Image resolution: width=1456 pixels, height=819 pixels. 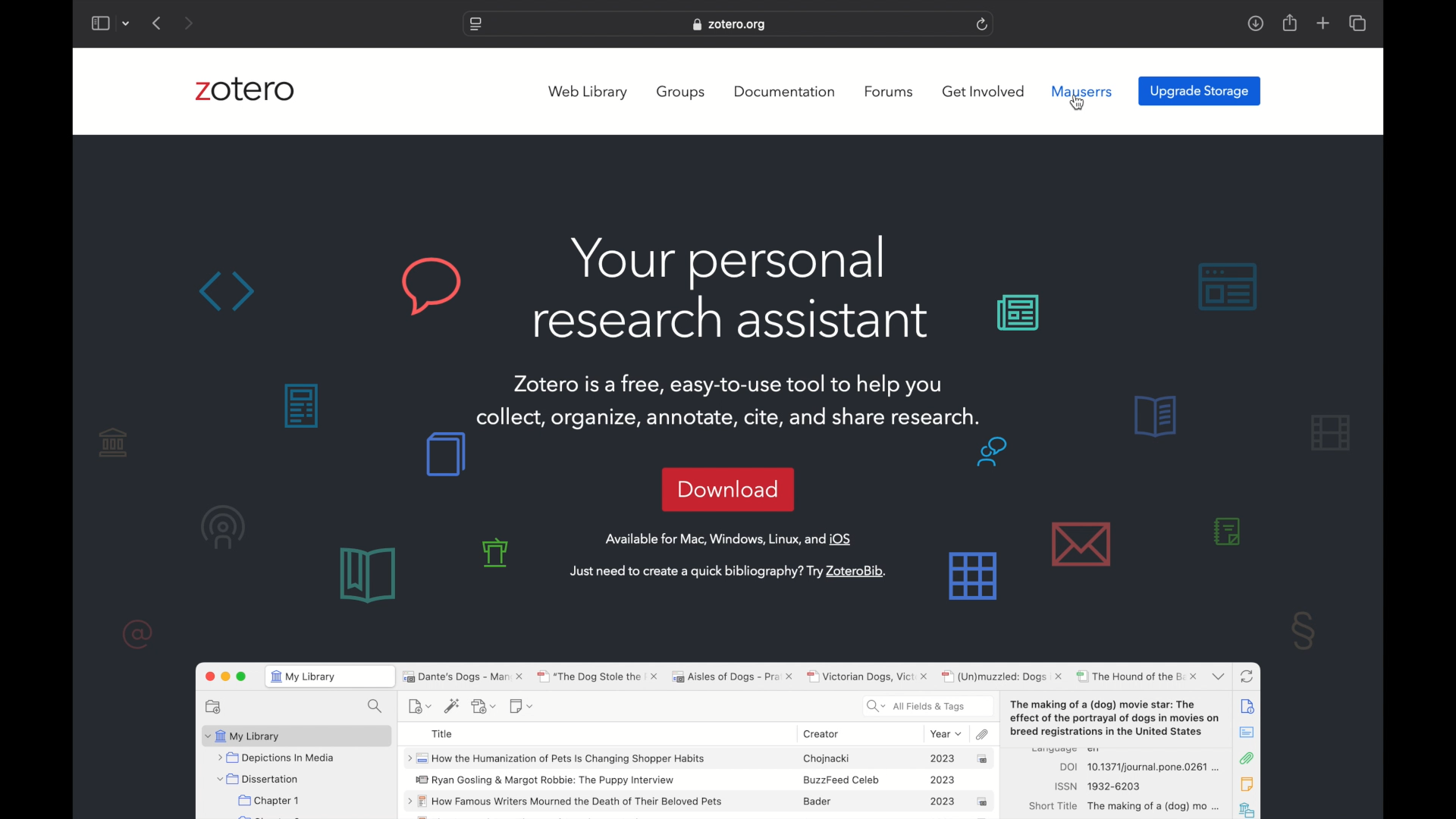 What do you see at coordinates (731, 24) in the screenshot?
I see `web address` at bounding box center [731, 24].